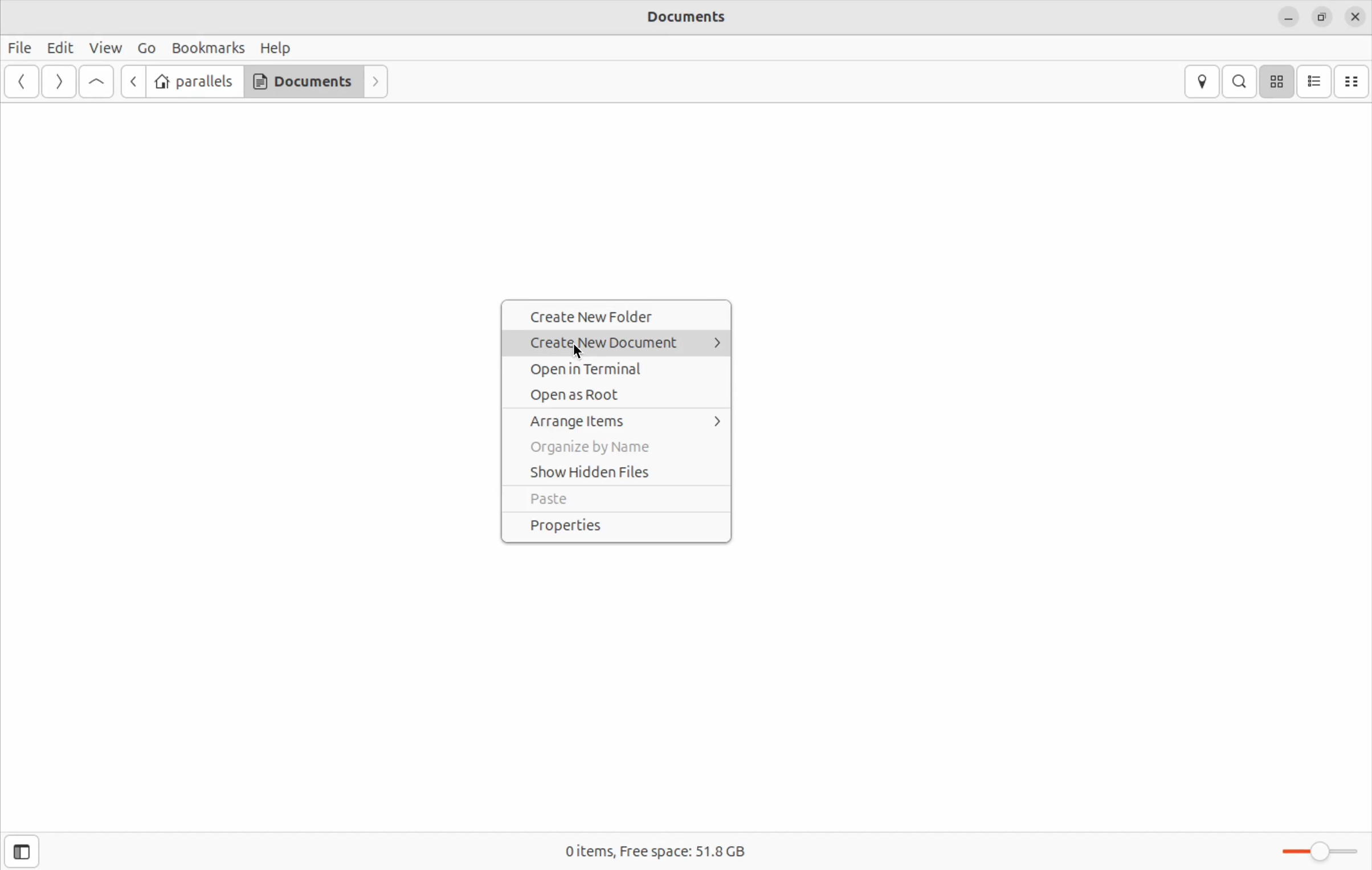 This screenshot has width=1372, height=870. What do you see at coordinates (617, 473) in the screenshot?
I see `Show Hidden Files` at bounding box center [617, 473].